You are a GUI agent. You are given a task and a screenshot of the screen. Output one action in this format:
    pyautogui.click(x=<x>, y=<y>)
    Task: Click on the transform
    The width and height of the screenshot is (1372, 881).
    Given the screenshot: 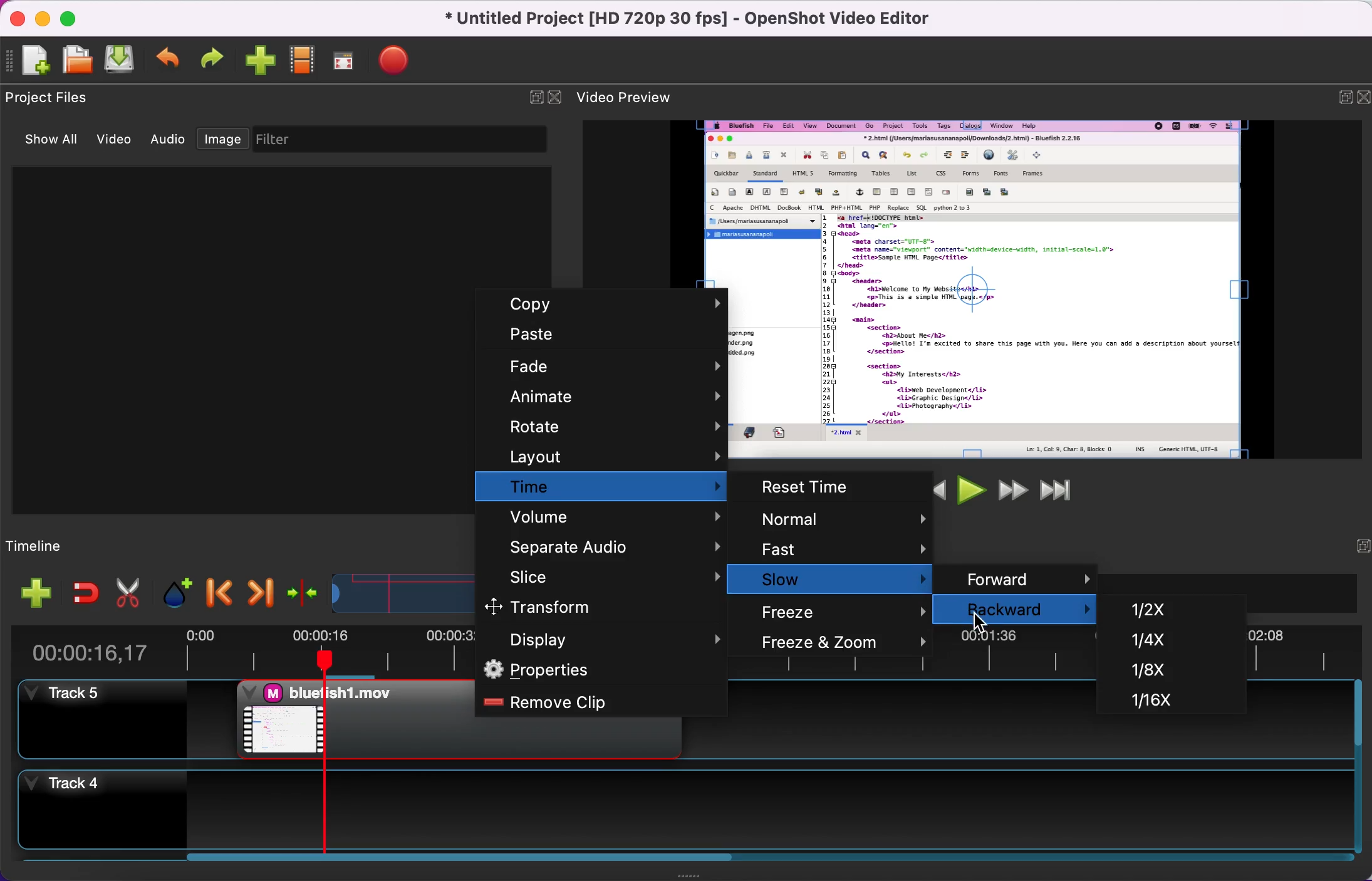 What is the action you would take?
    pyautogui.click(x=589, y=607)
    